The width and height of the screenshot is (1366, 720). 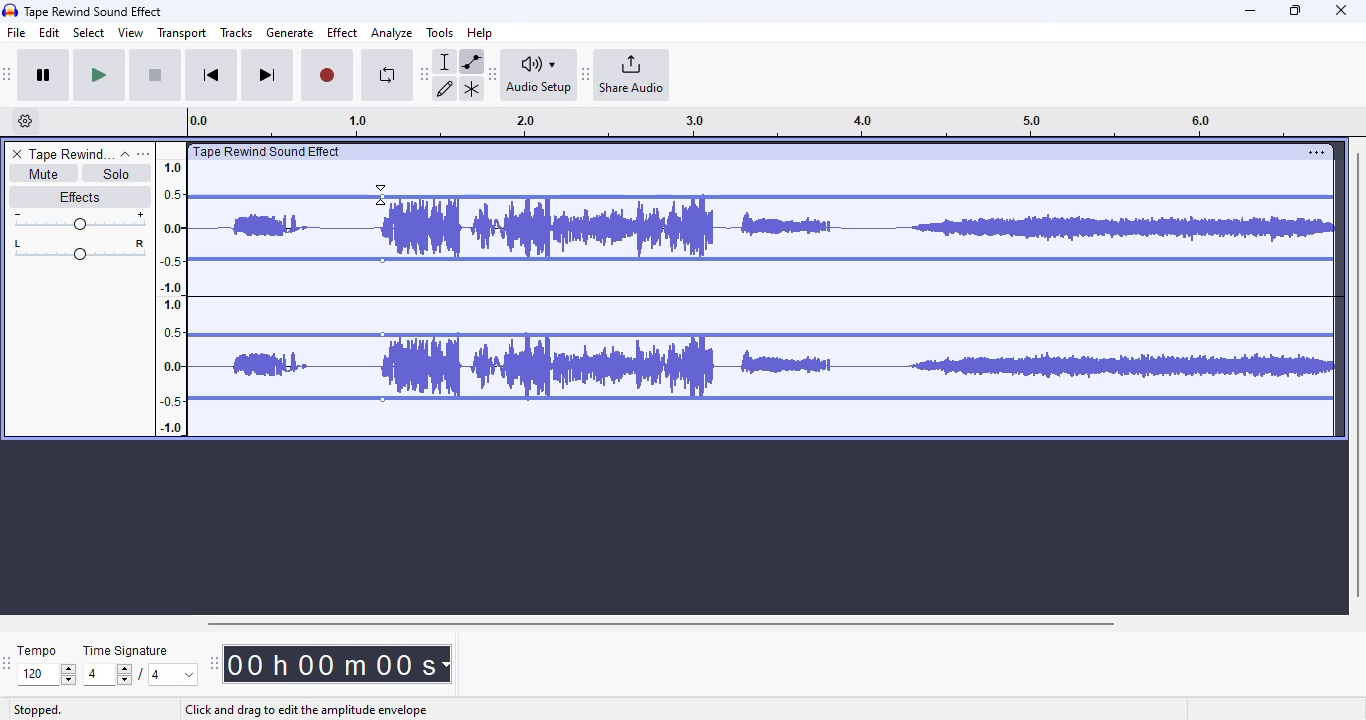 I want to click on Track timeline, so click(x=744, y=122).